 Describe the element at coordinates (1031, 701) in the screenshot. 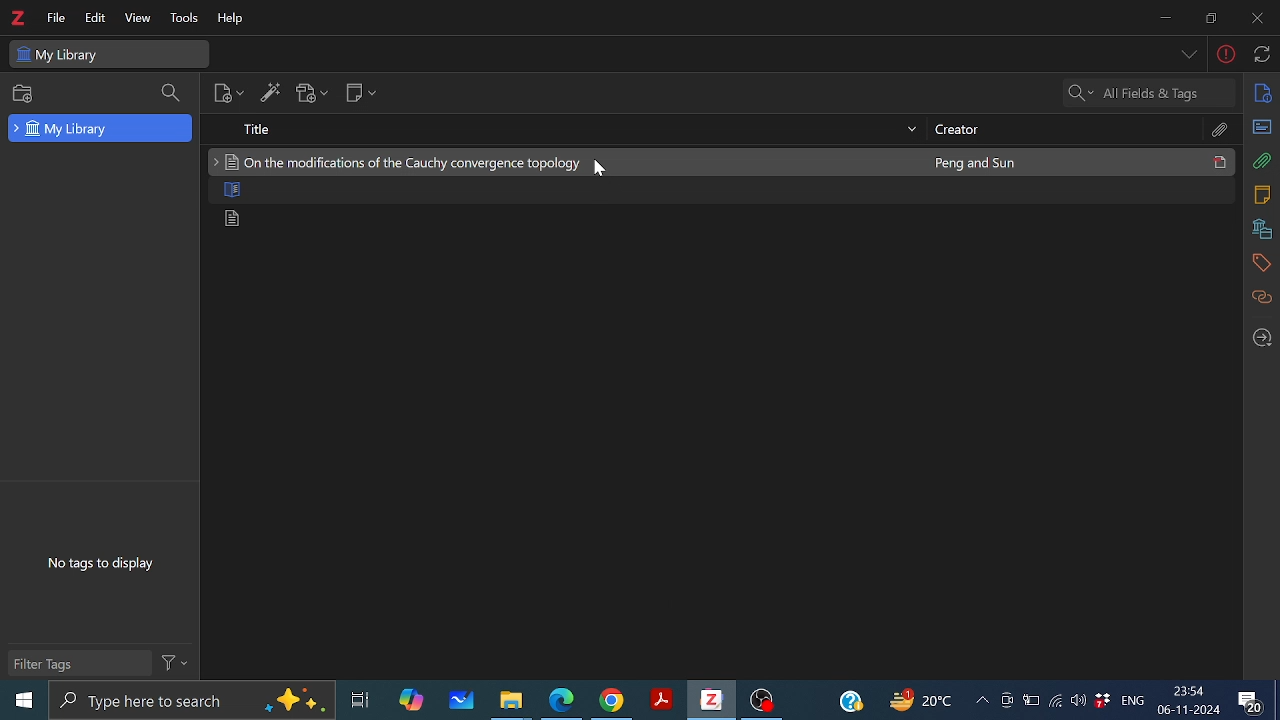

I see `Batttery` at that location.